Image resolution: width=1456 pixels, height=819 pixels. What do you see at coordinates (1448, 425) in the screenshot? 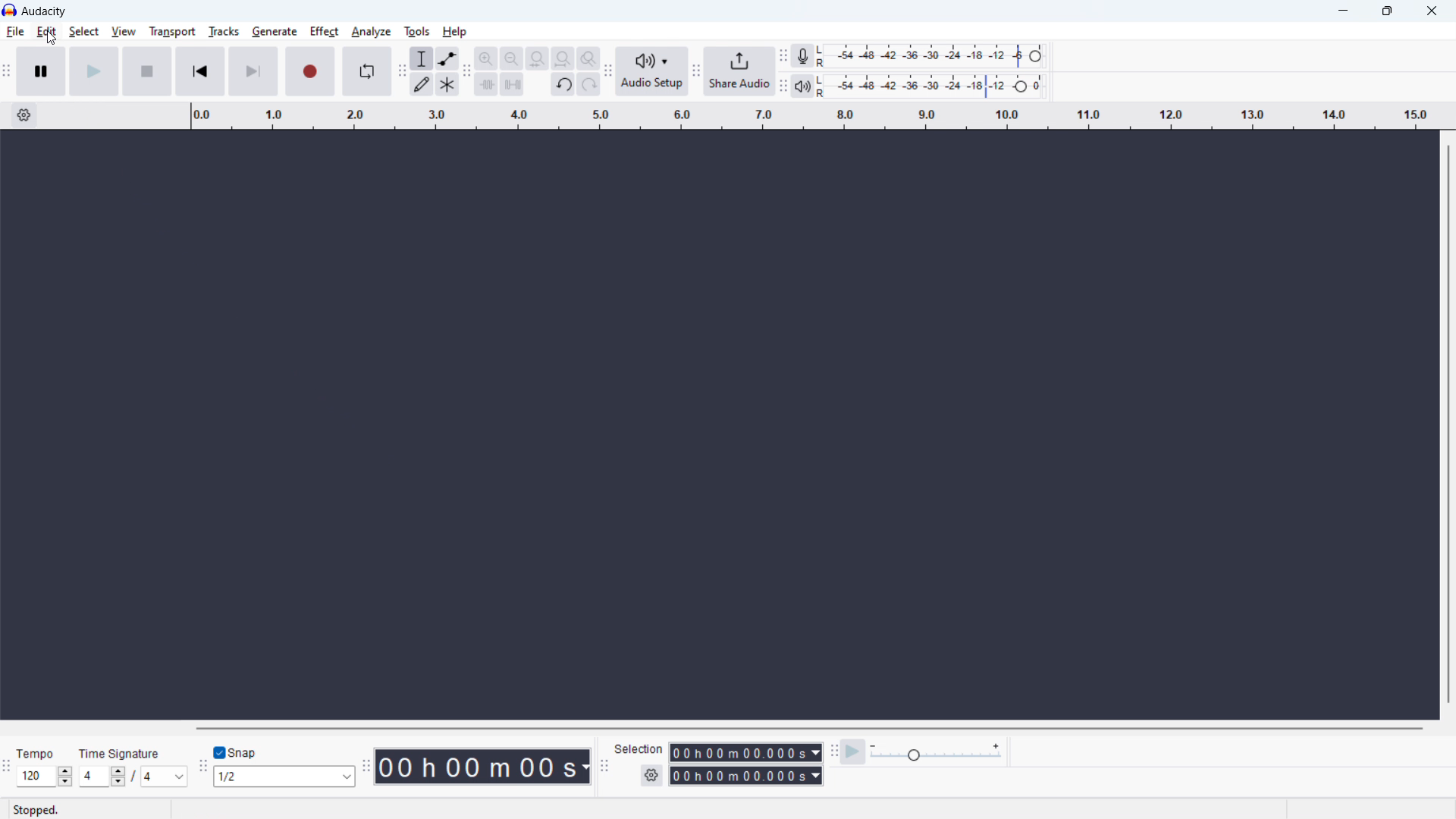
I see `vertical scrollbar` at bounding box center [1448, 425].